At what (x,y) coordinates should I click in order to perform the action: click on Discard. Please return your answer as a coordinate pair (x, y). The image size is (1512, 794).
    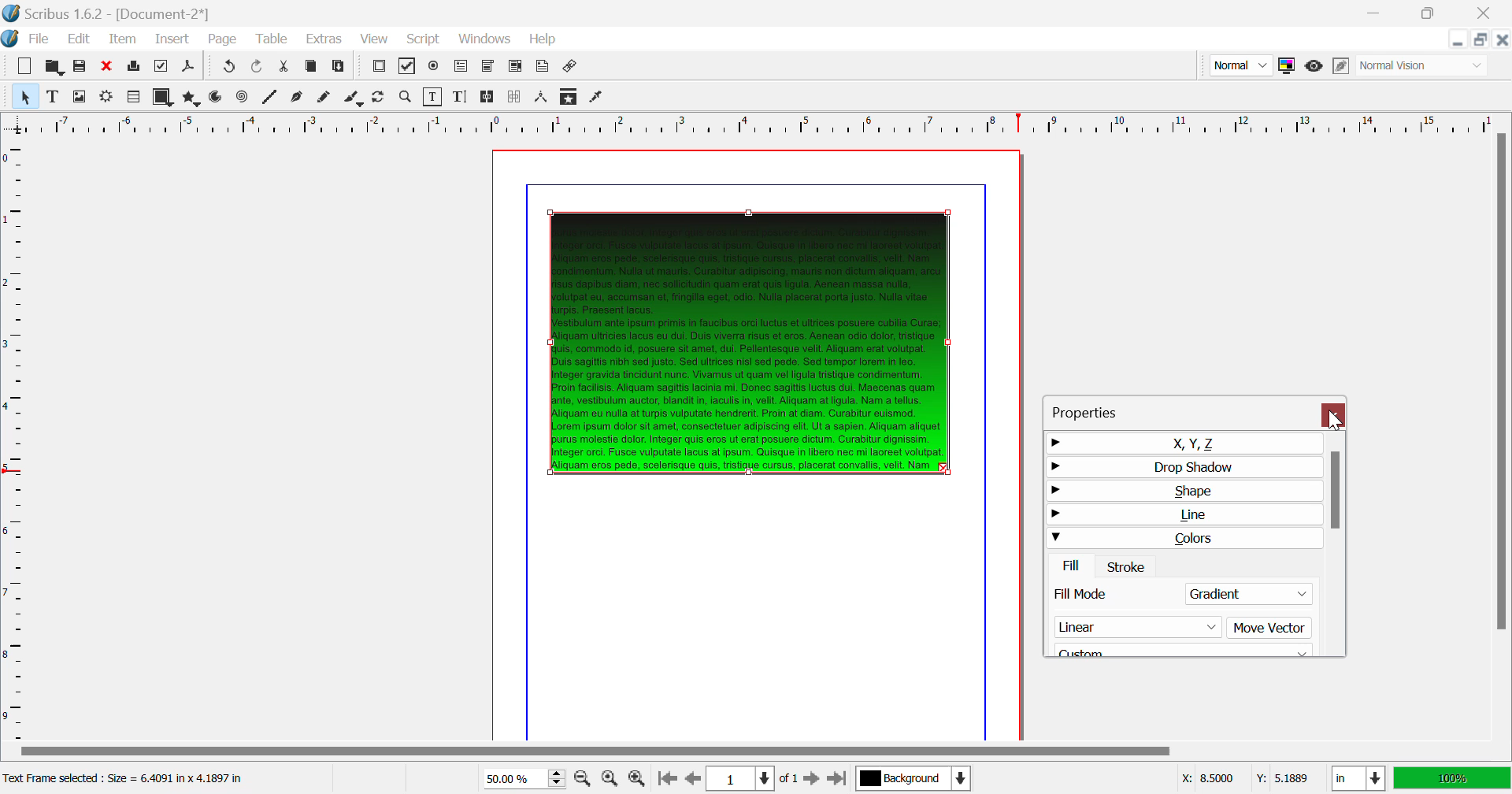
    Looking at the image, I should click on (107, 66).